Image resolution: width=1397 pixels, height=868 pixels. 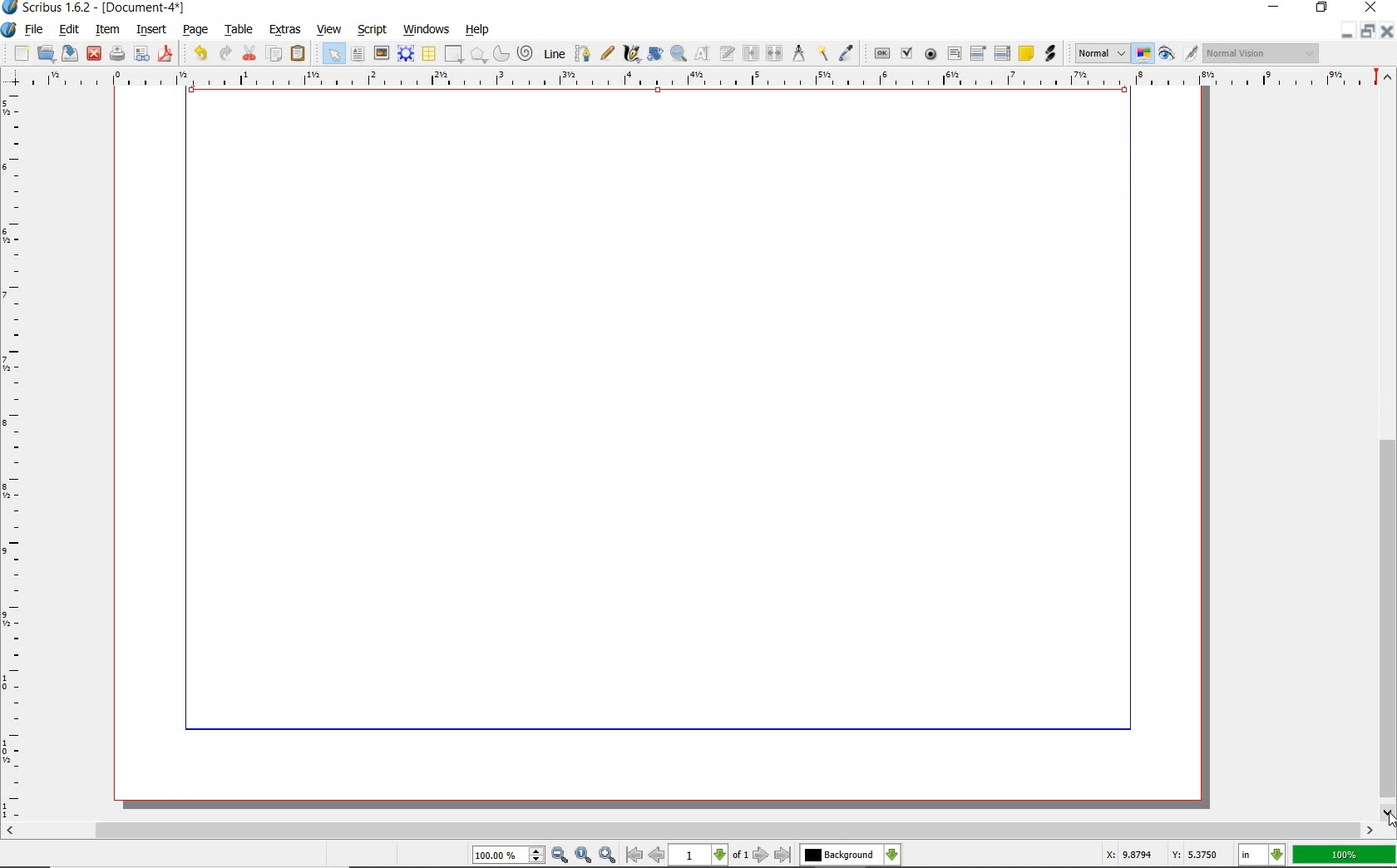 What do you see at coordinates (1262, 855) in the screenshot?
I see `in` at bounding box center [1262, 855].